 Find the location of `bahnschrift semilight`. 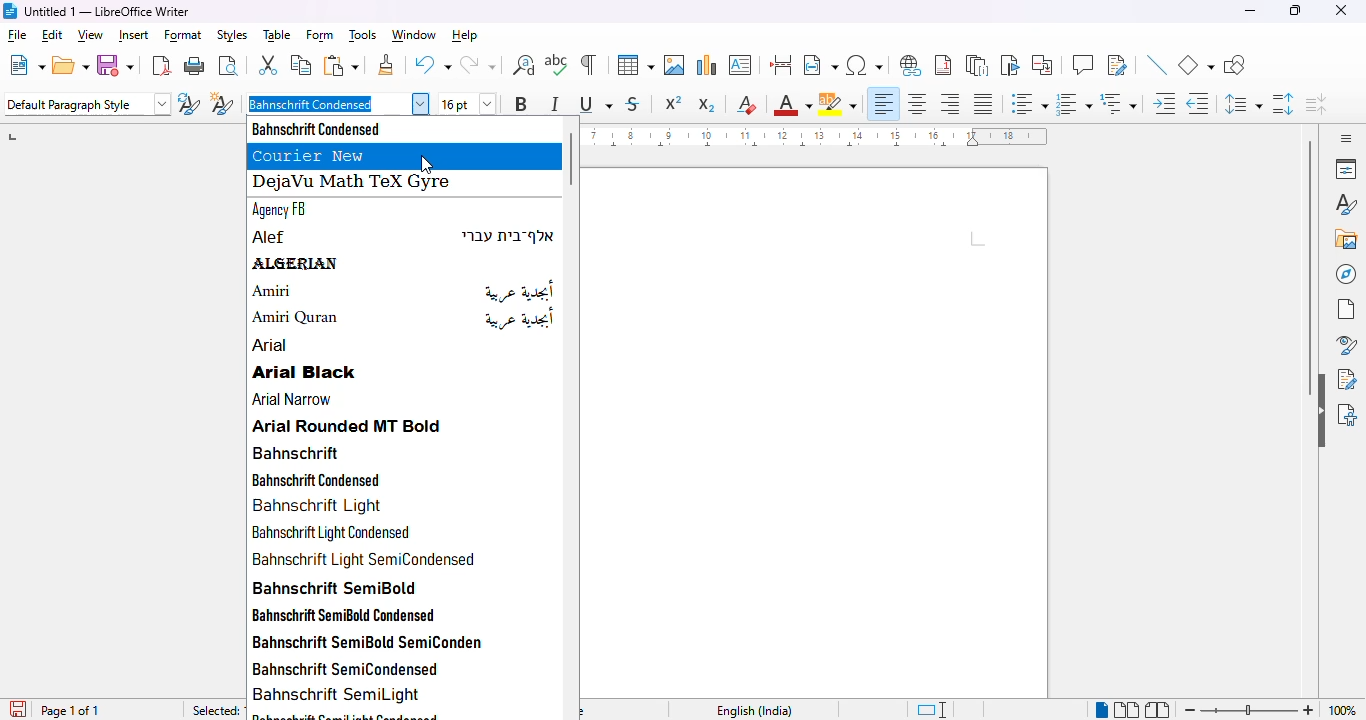

bahnschrift semilight is located at coordinates (337, 695).